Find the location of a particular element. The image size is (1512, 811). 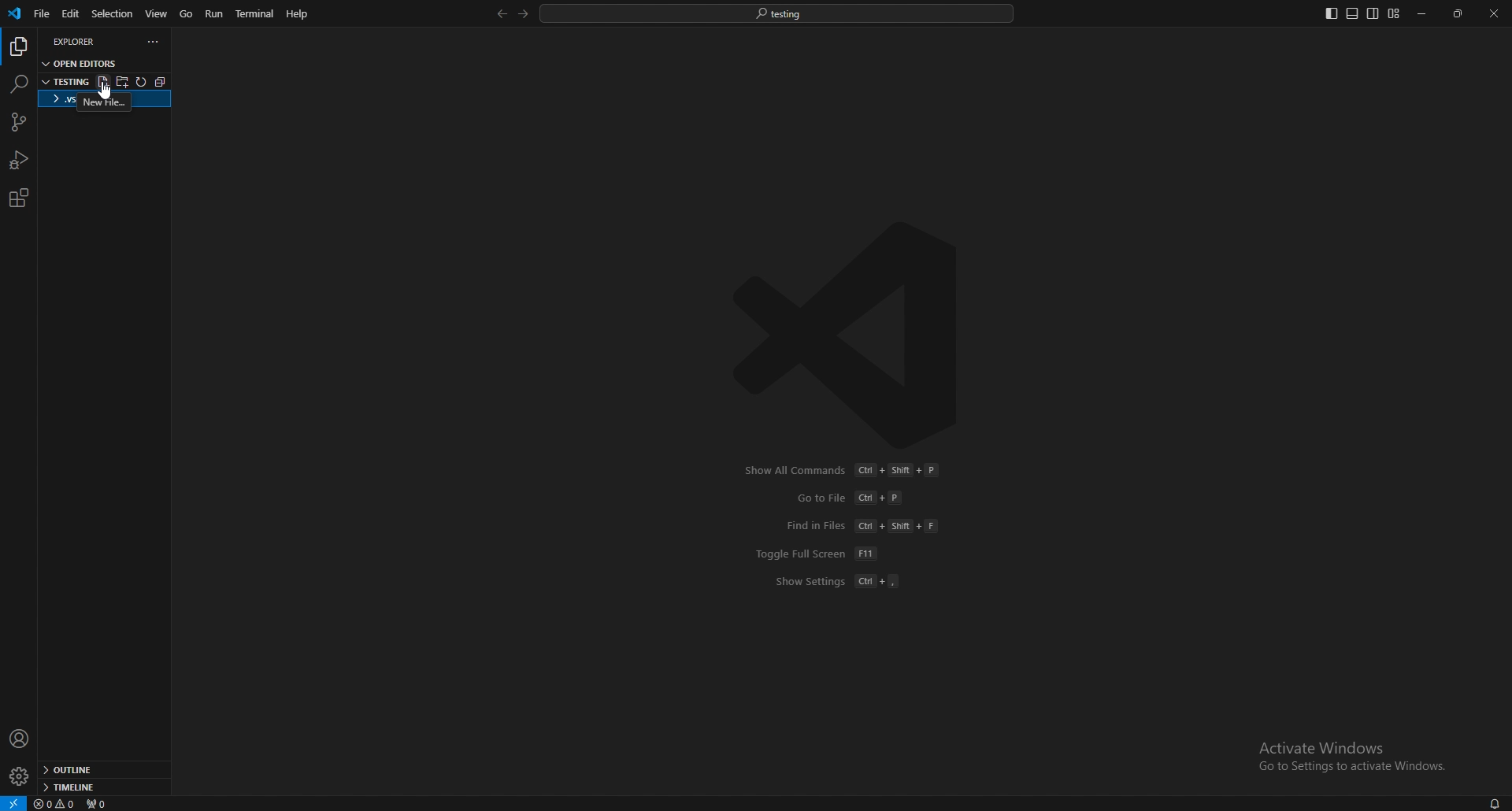

editor layouts is located at coordinates (1362, 13).